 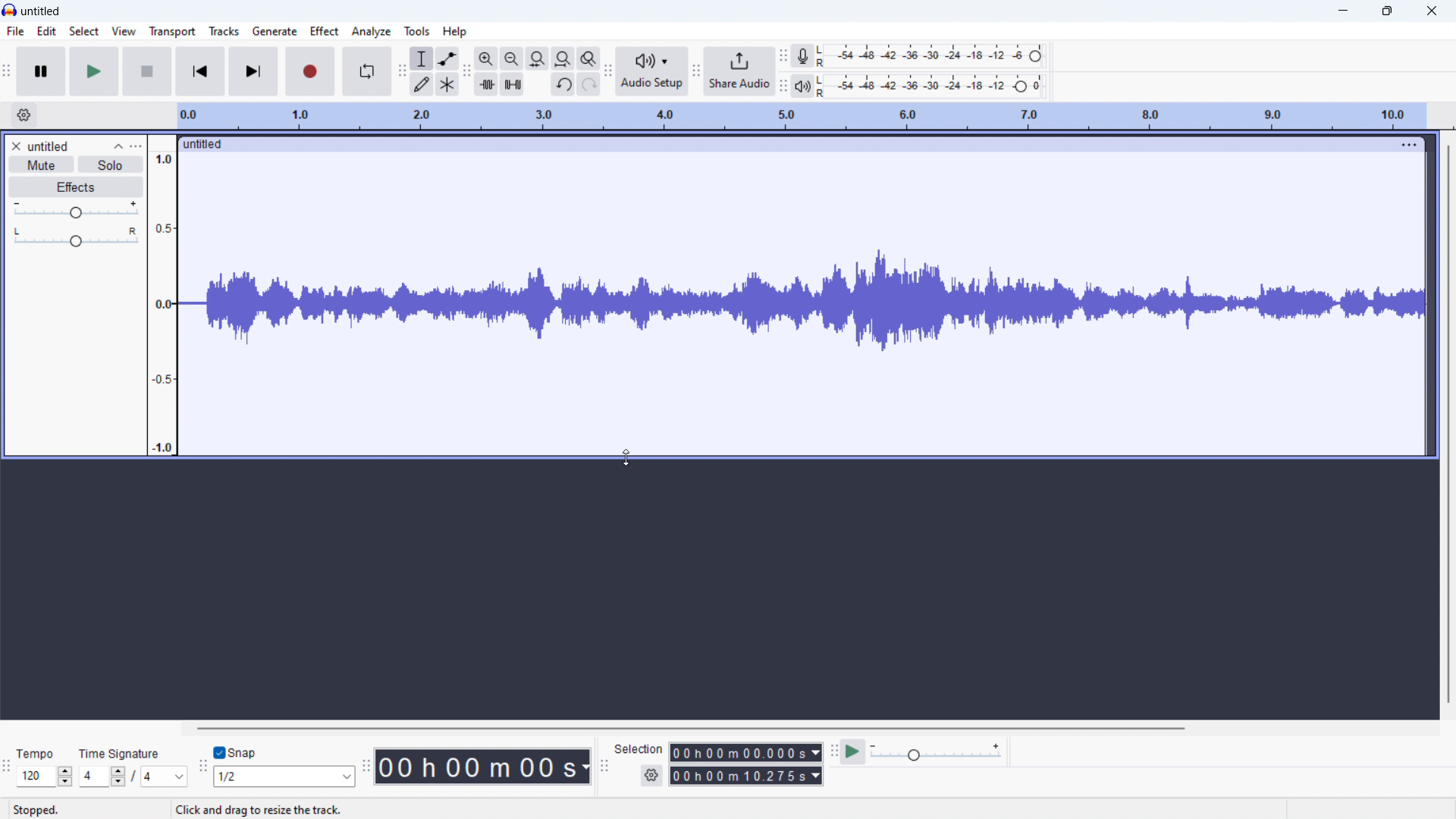 What do you see at coordinates (367, 71) in the screenshot?
I see `enable loop` at bounding box center [367, 71].